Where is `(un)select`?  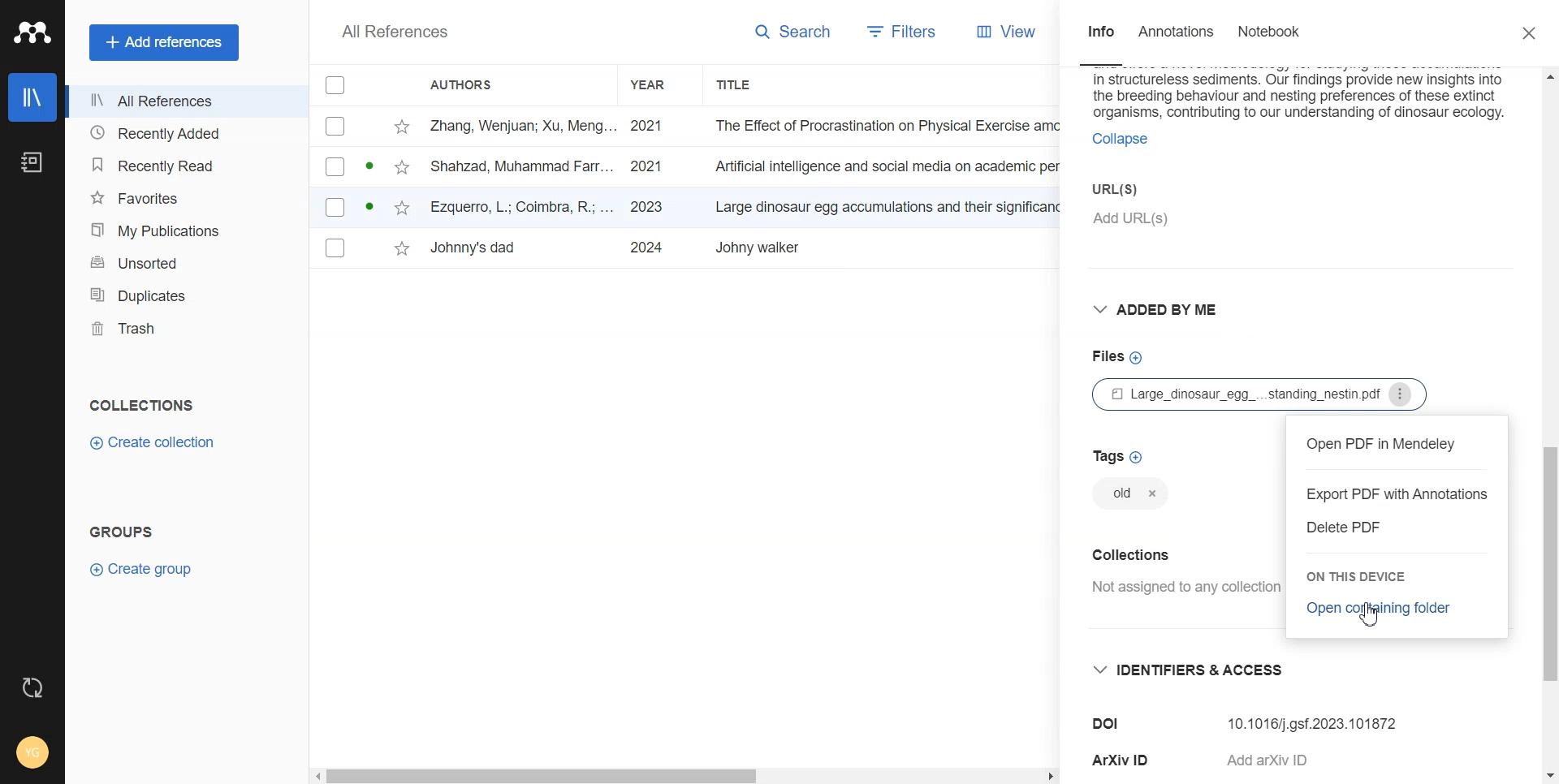
(un)select is located at coordinates (335, 248).